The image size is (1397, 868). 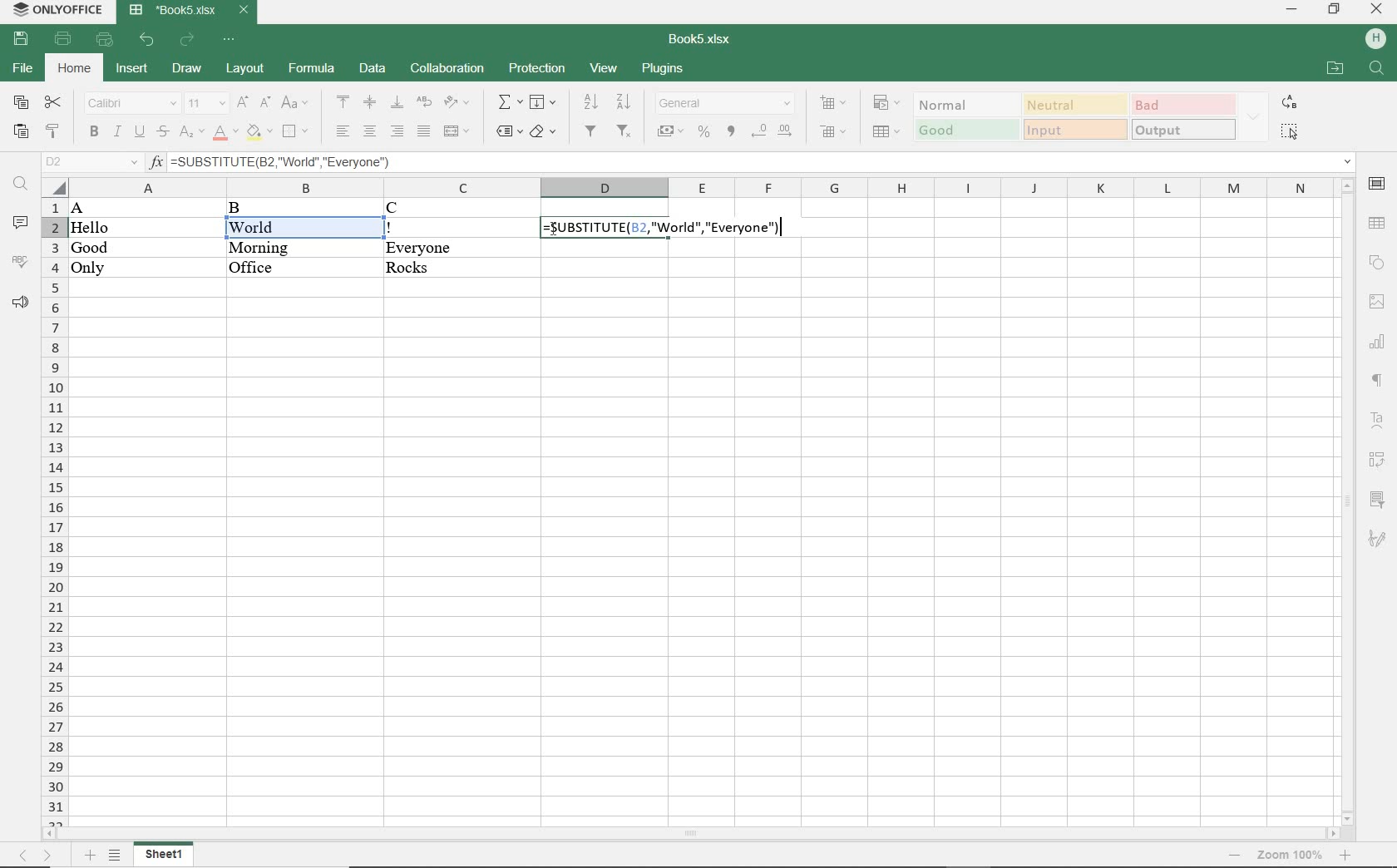 I want to click on align bottom, so click(x=398, y=102).